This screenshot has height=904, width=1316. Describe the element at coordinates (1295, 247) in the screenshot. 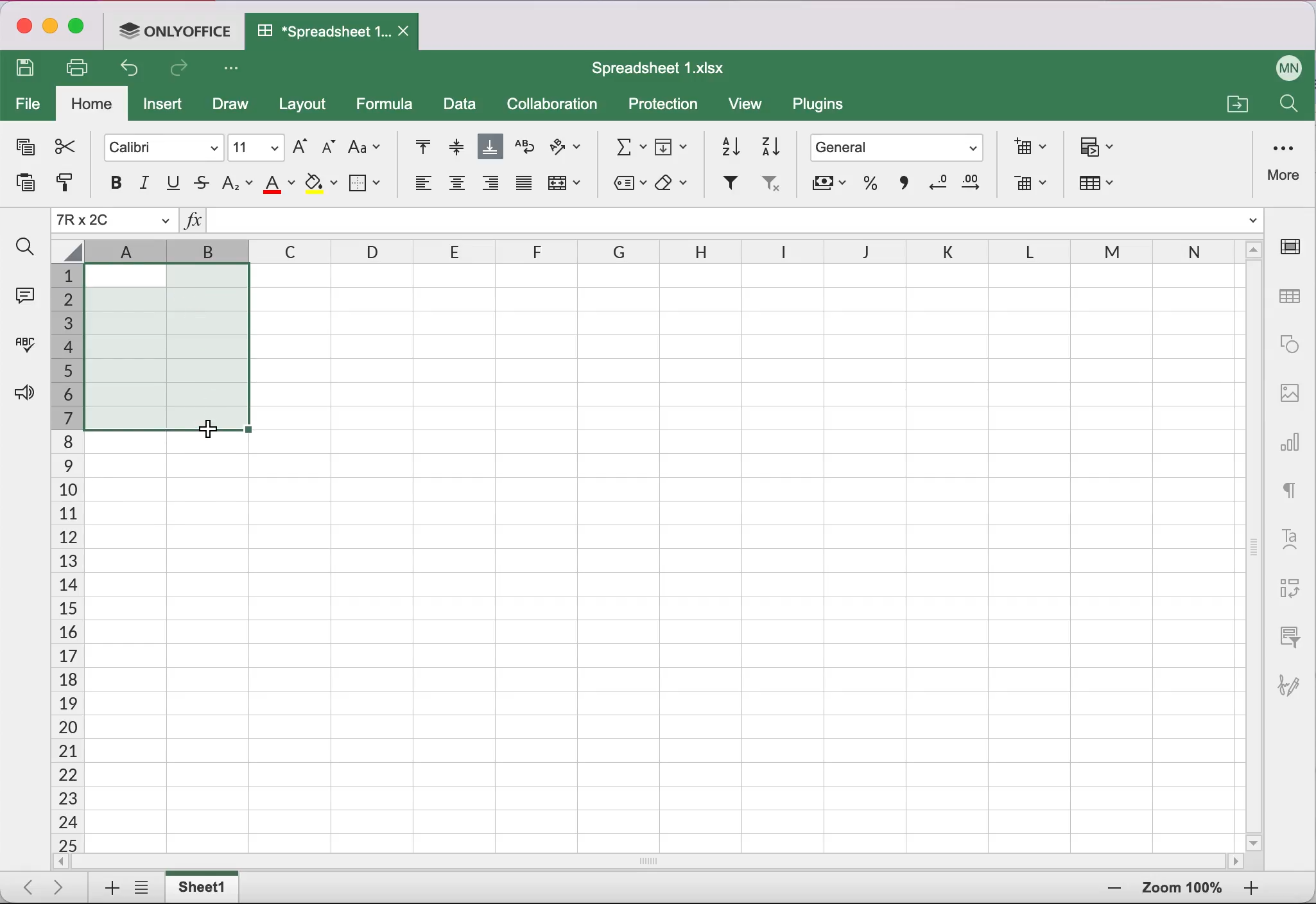

I see `cell settings` at that location.